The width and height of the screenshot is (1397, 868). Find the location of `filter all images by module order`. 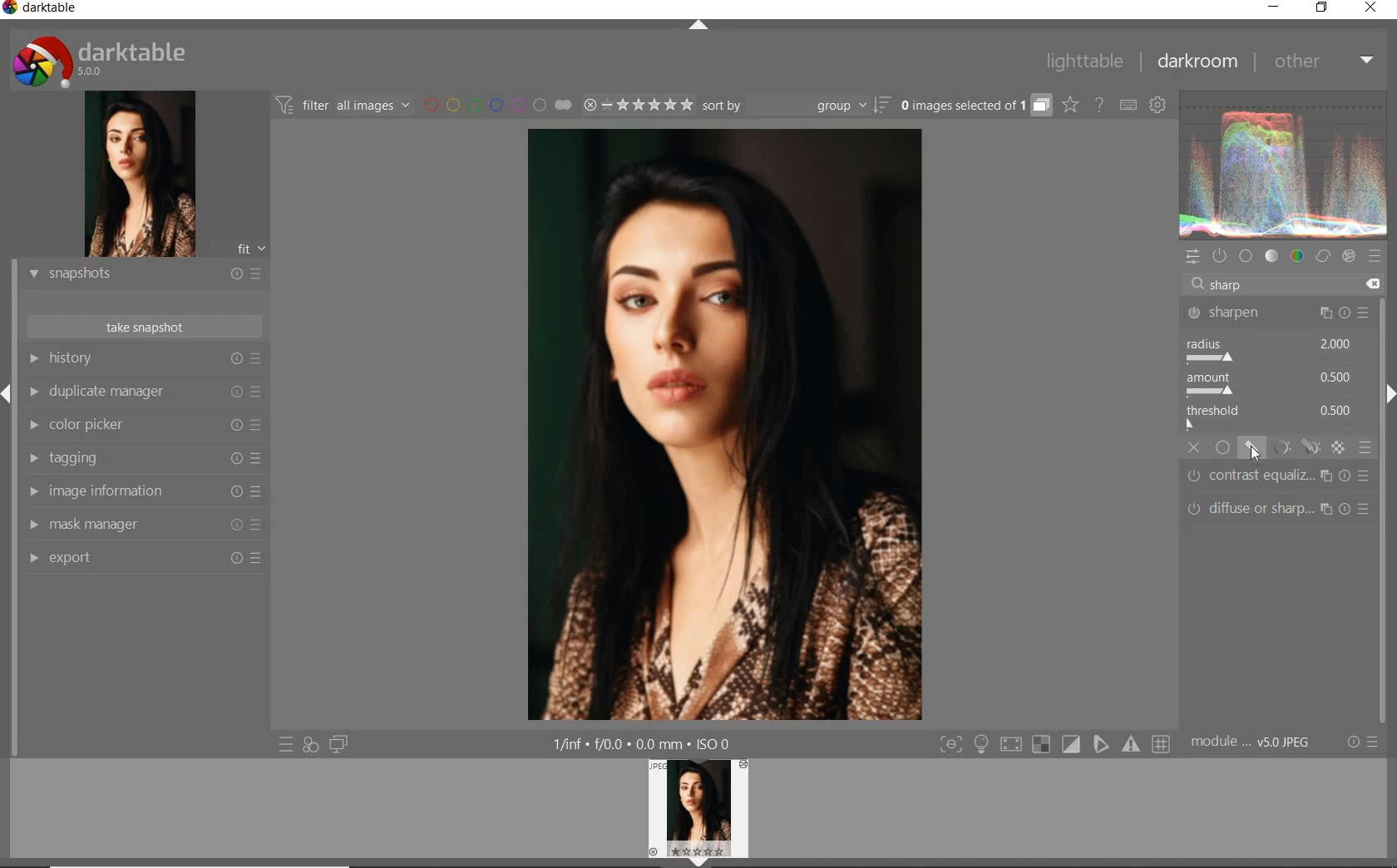

filter all images by module order is located at coordinates (344, 107).